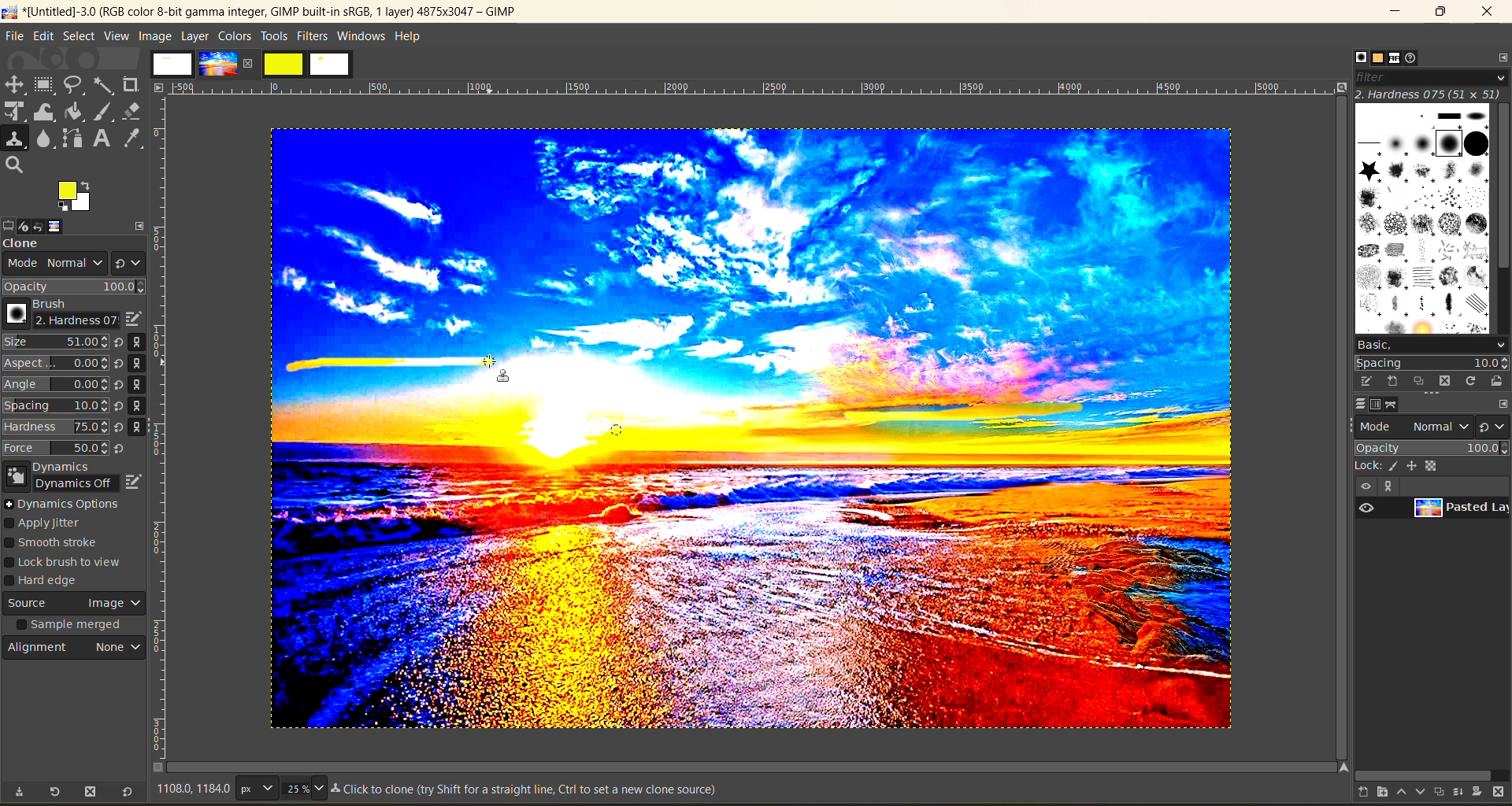  I want to click on layer, so click(195, 35).